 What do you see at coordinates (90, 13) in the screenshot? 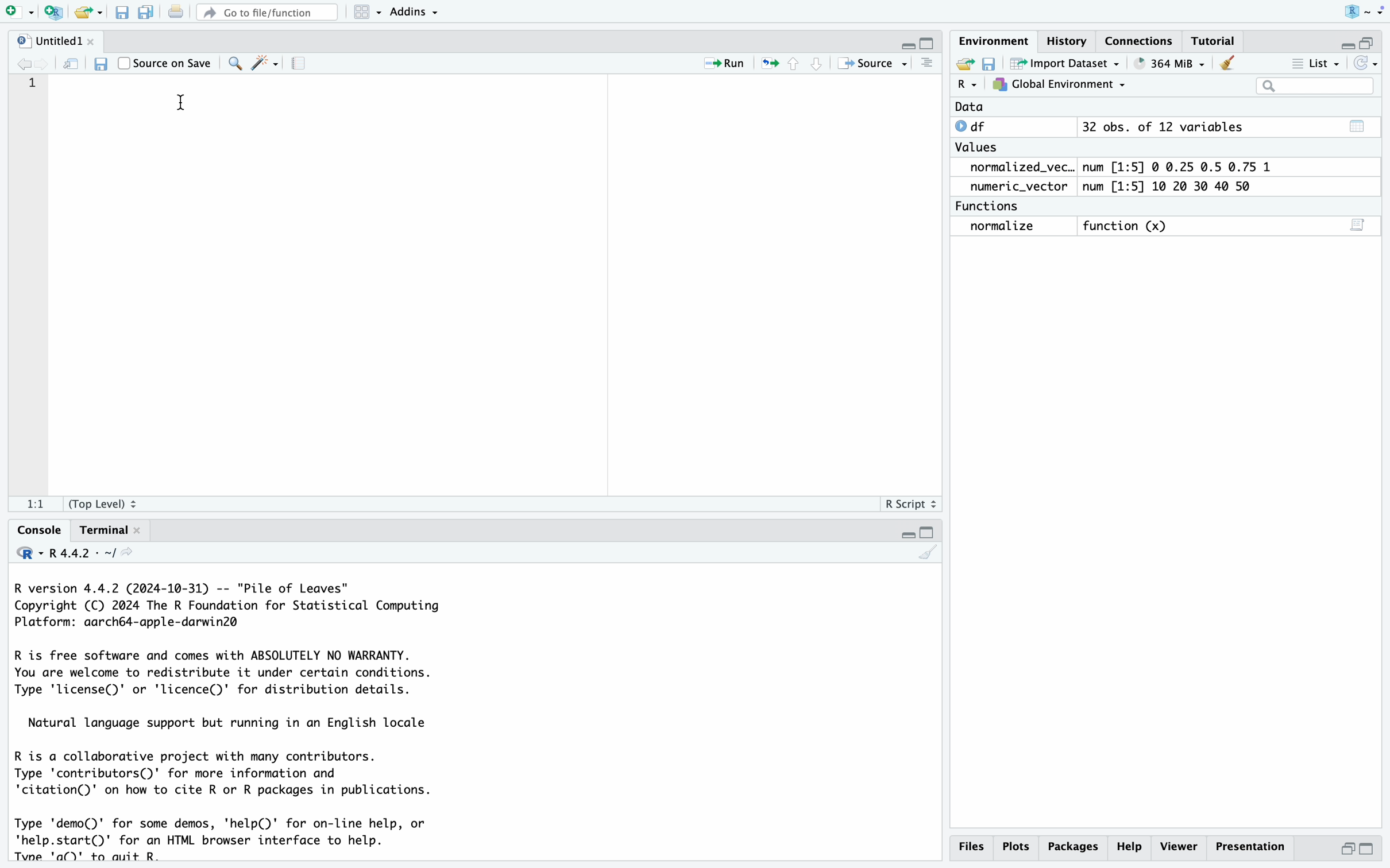
I see `Open` at bounding box center [90, 13].